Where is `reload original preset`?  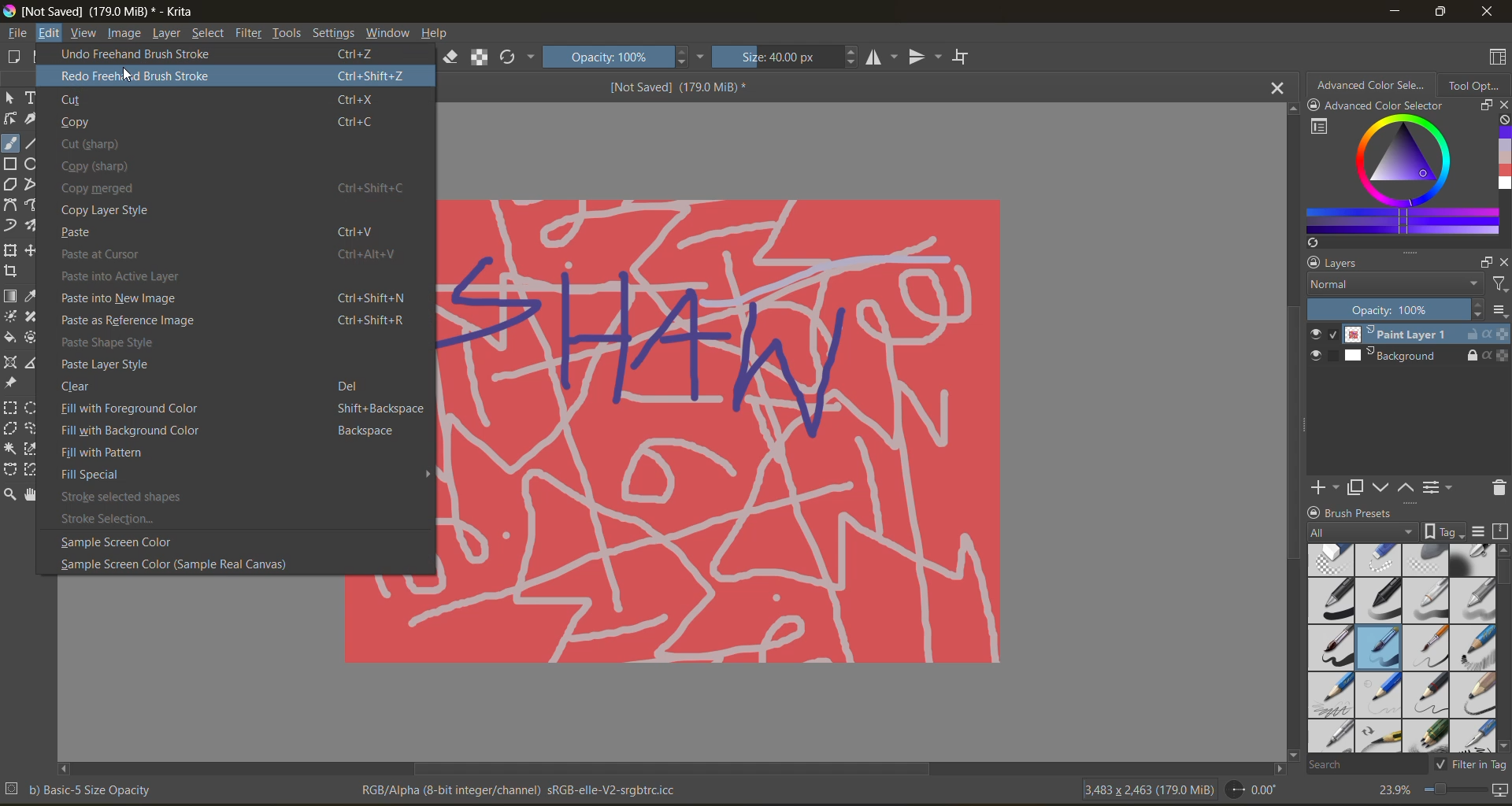
reload original preset is located at coordinates (518, 56).